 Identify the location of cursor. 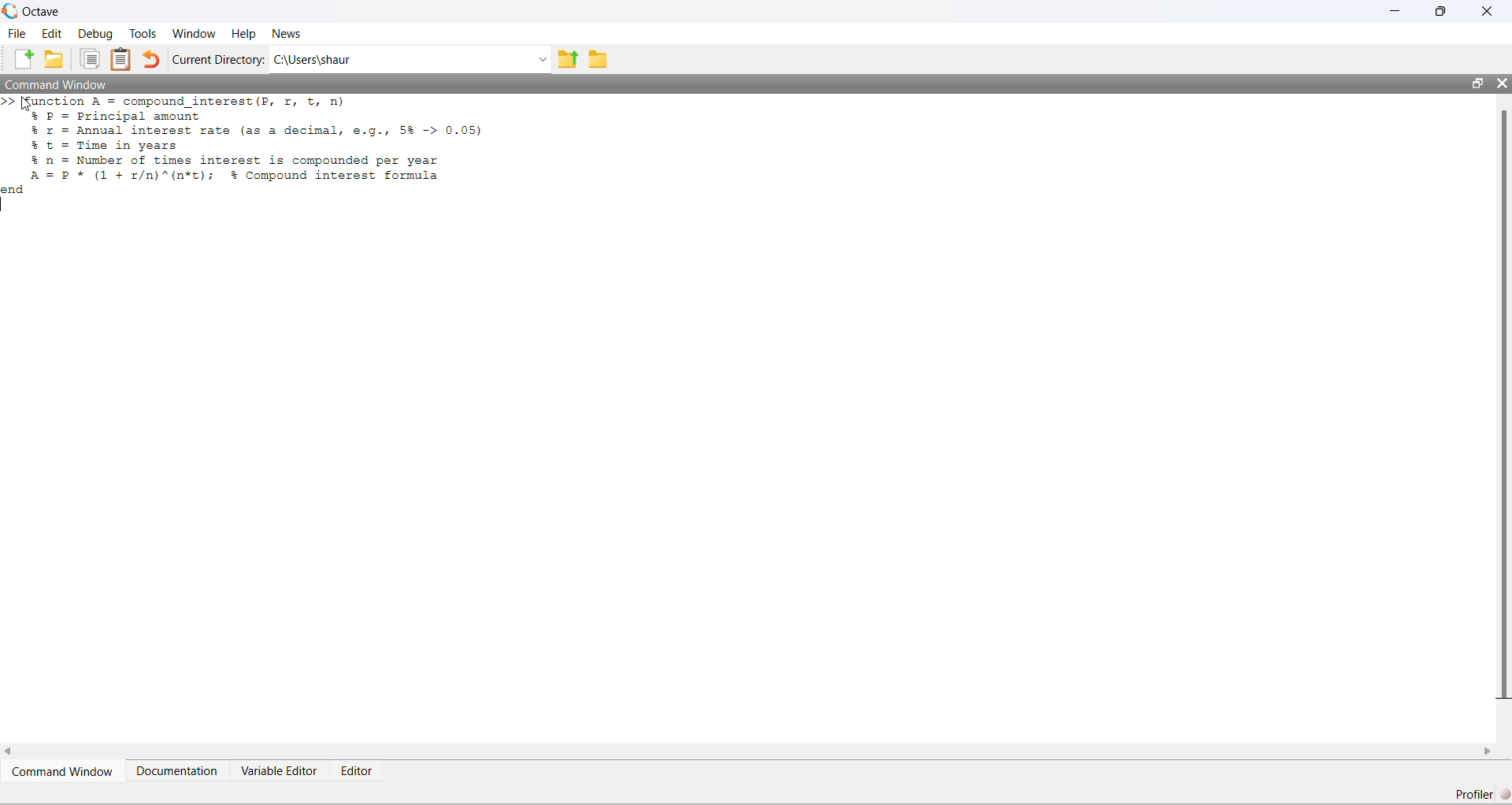
(28, 106).